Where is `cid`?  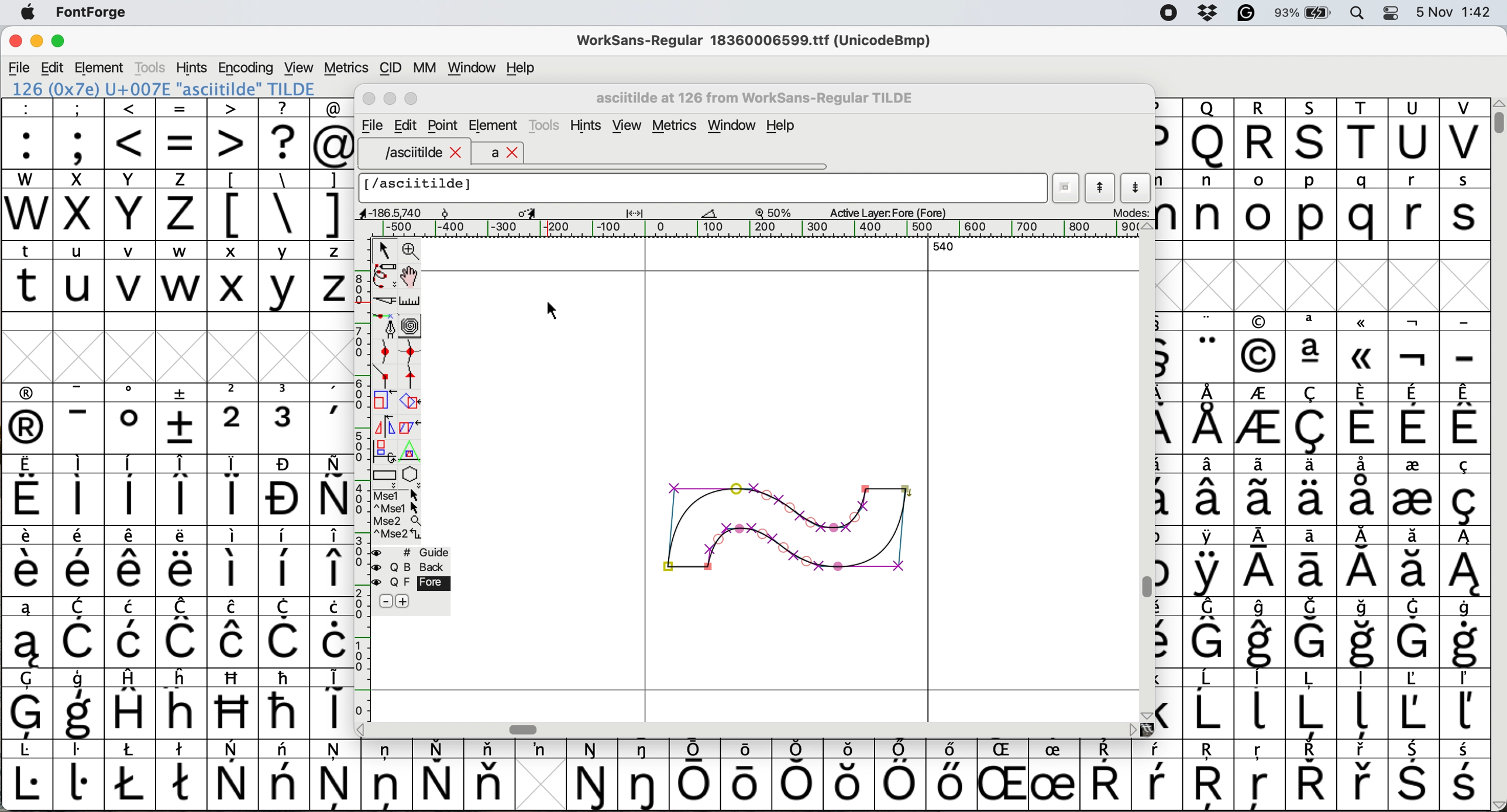 cid is located at coordinates (389, 68).